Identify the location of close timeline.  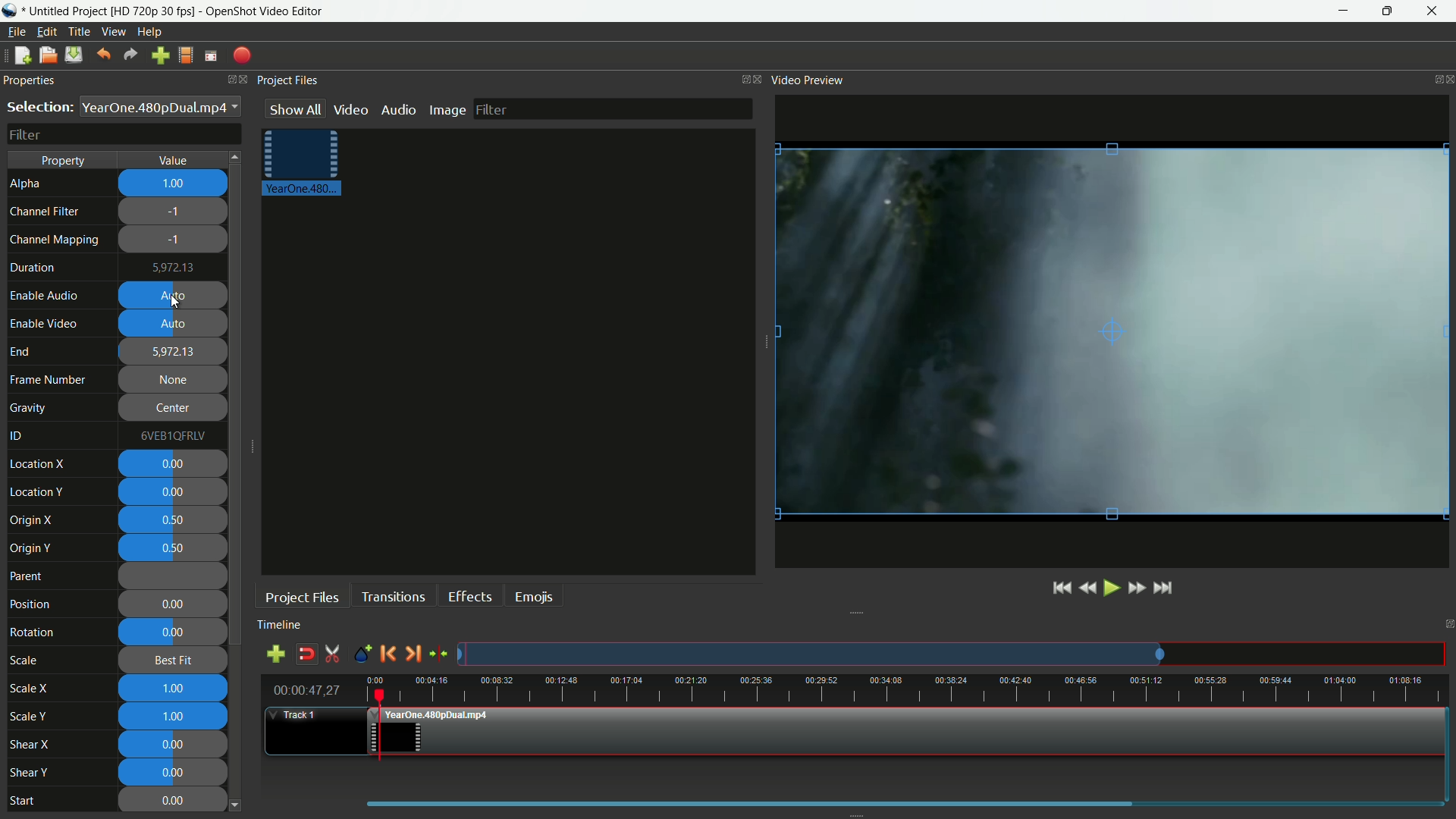
(1447, 625).